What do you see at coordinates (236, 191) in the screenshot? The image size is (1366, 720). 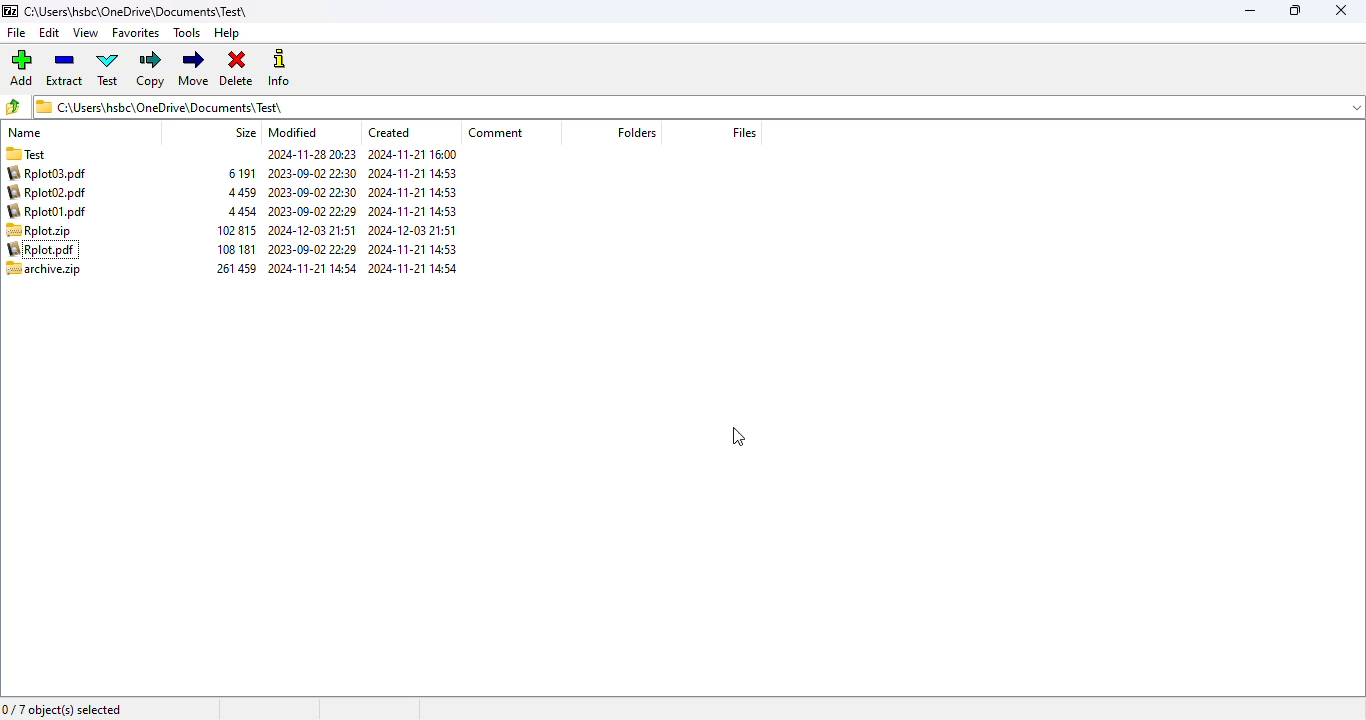 I see `archive` at bounding box center [236, 191].